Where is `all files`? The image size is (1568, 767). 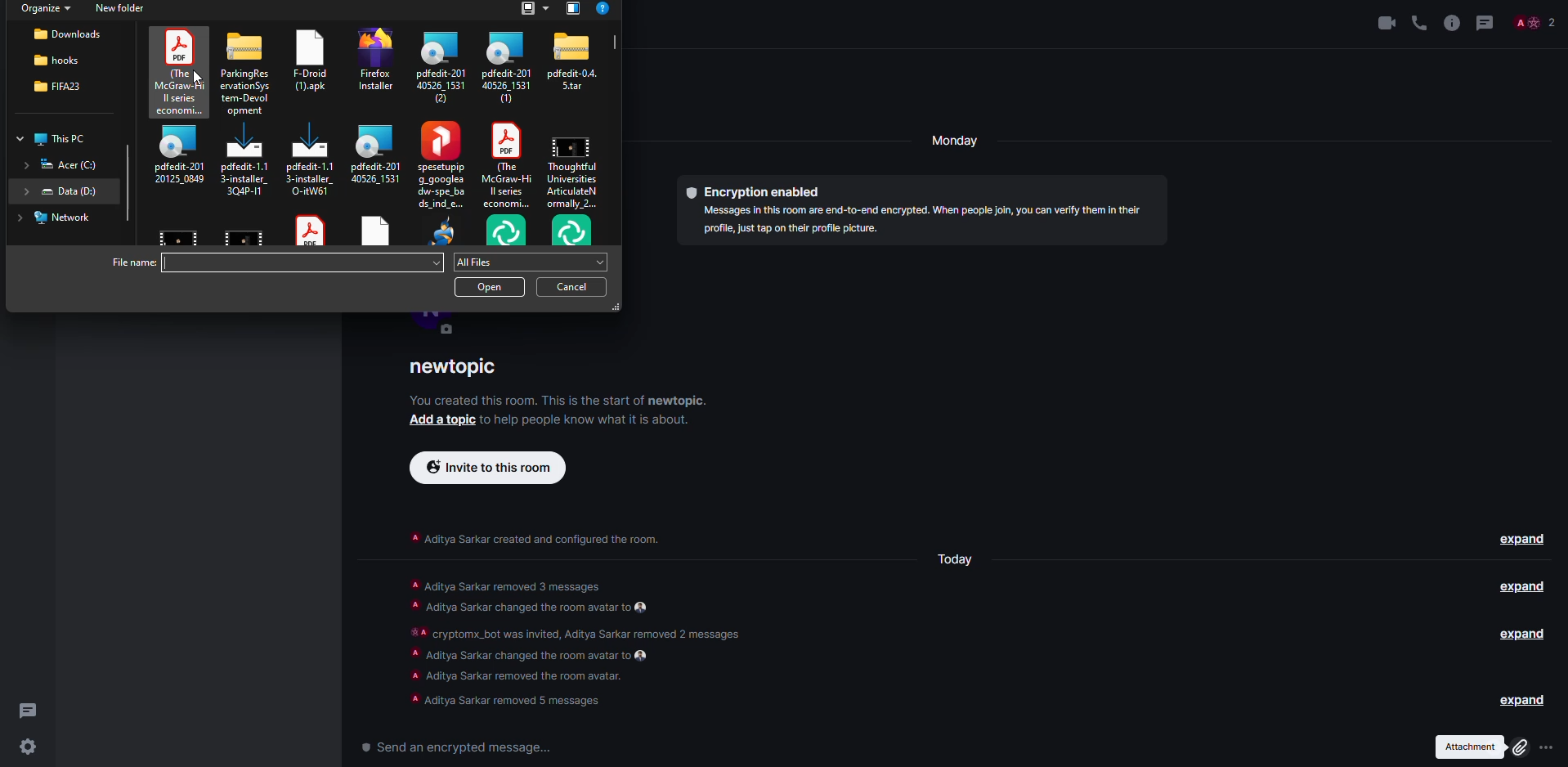
all files is located at coordinates (480, 262).